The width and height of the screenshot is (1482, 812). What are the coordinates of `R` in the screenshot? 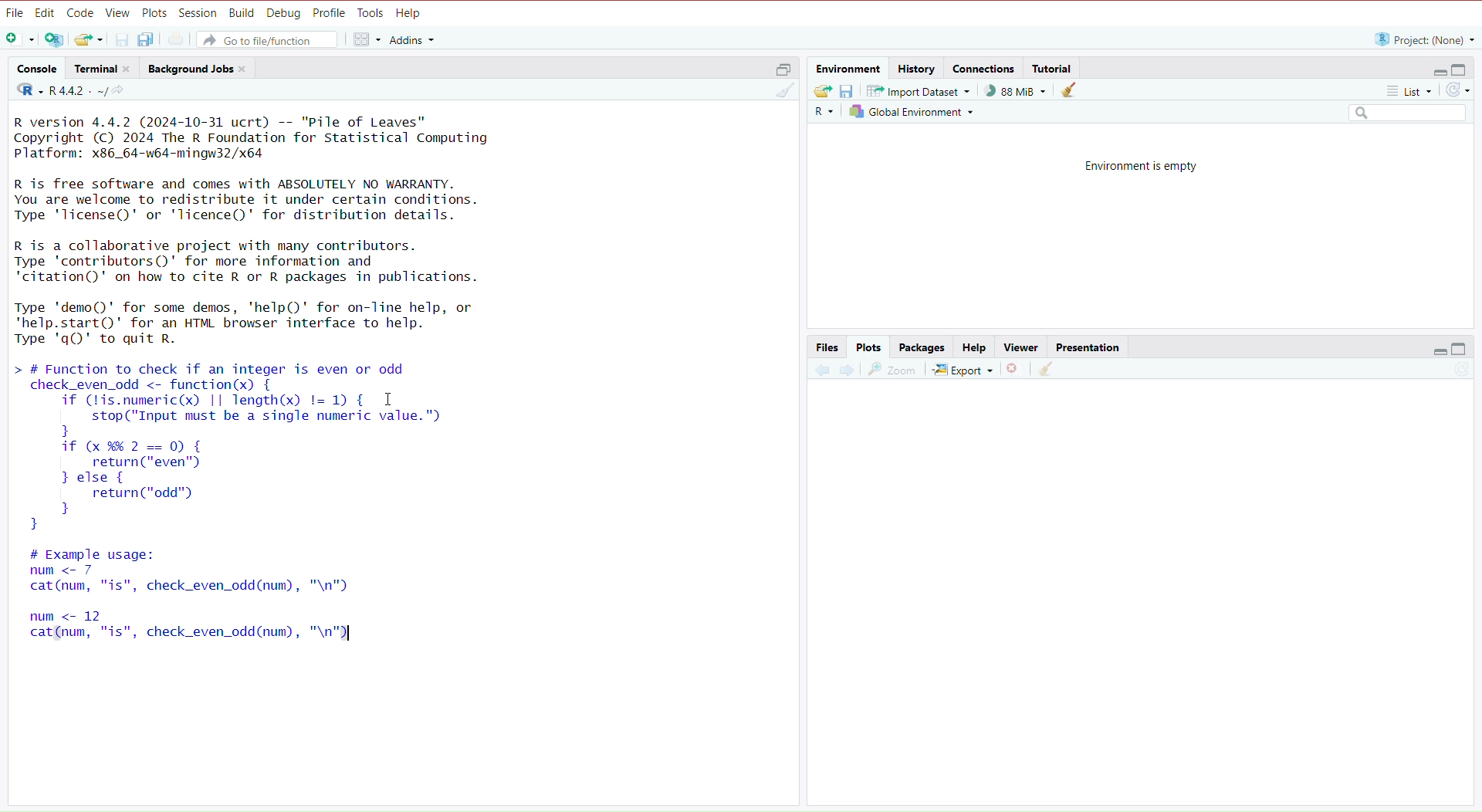 It's located at (822, 114).